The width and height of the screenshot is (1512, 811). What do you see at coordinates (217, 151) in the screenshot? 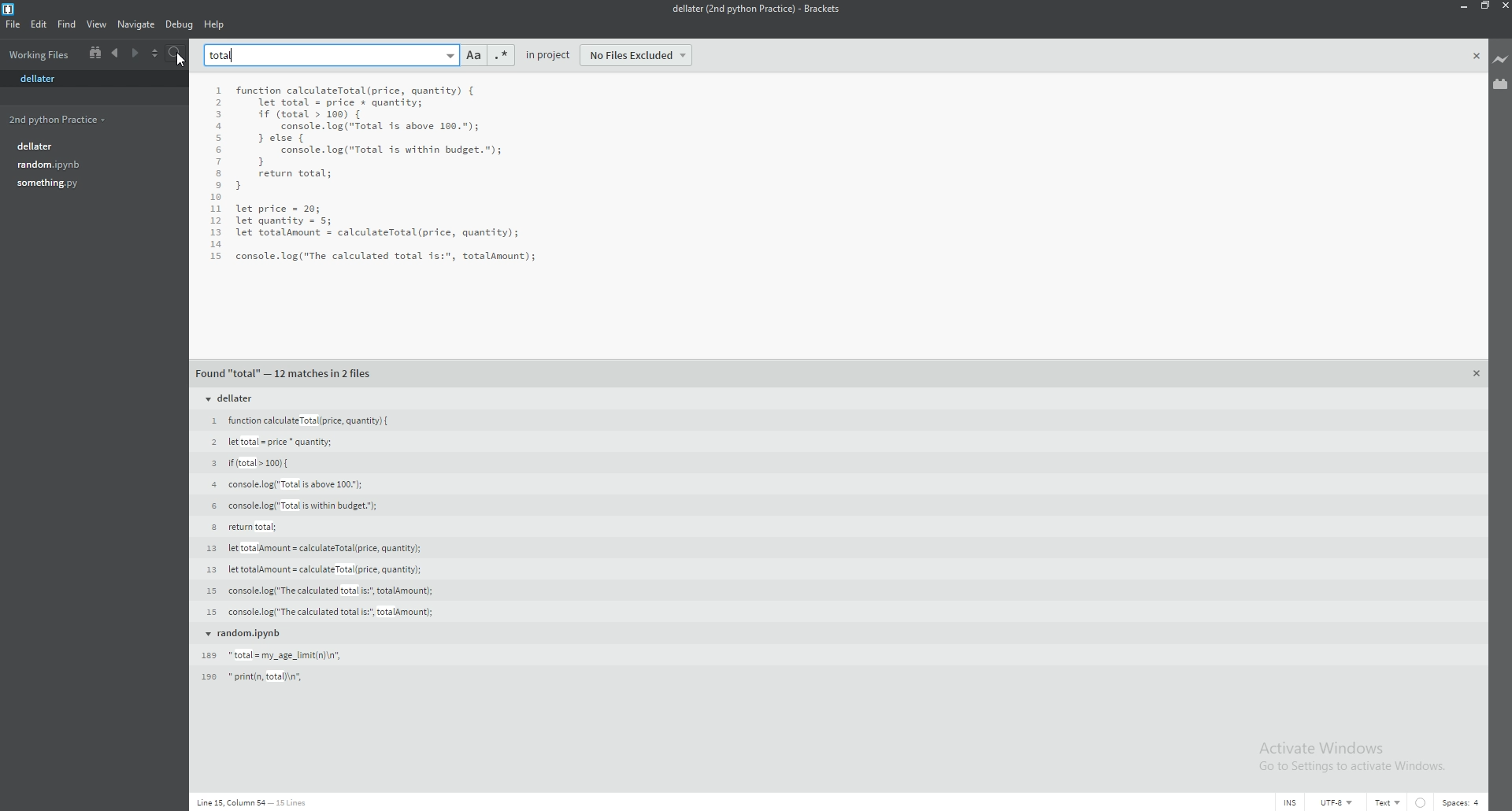
I see `6` at bounding box center [217, 151].